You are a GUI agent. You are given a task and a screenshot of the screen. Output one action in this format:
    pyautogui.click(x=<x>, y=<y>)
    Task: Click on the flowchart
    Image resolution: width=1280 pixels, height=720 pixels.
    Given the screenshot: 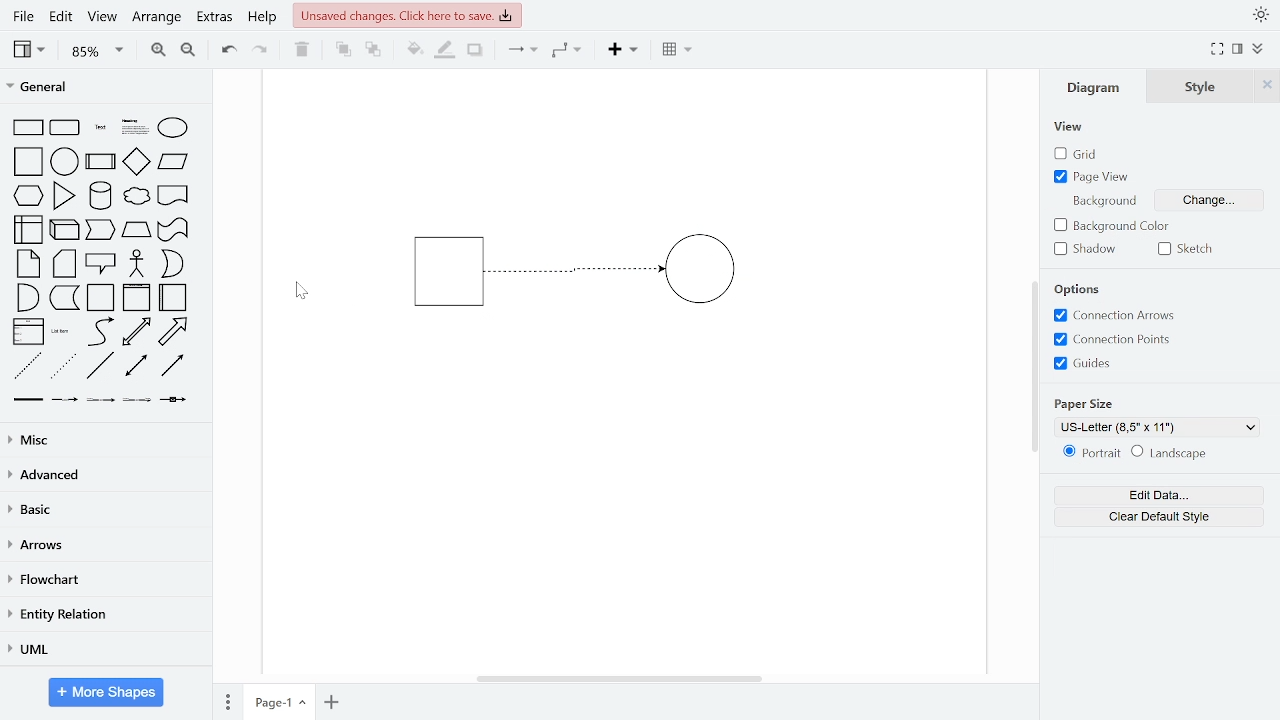 What is the action you would take?
    pyautogui.click(x=102, y=581)
    